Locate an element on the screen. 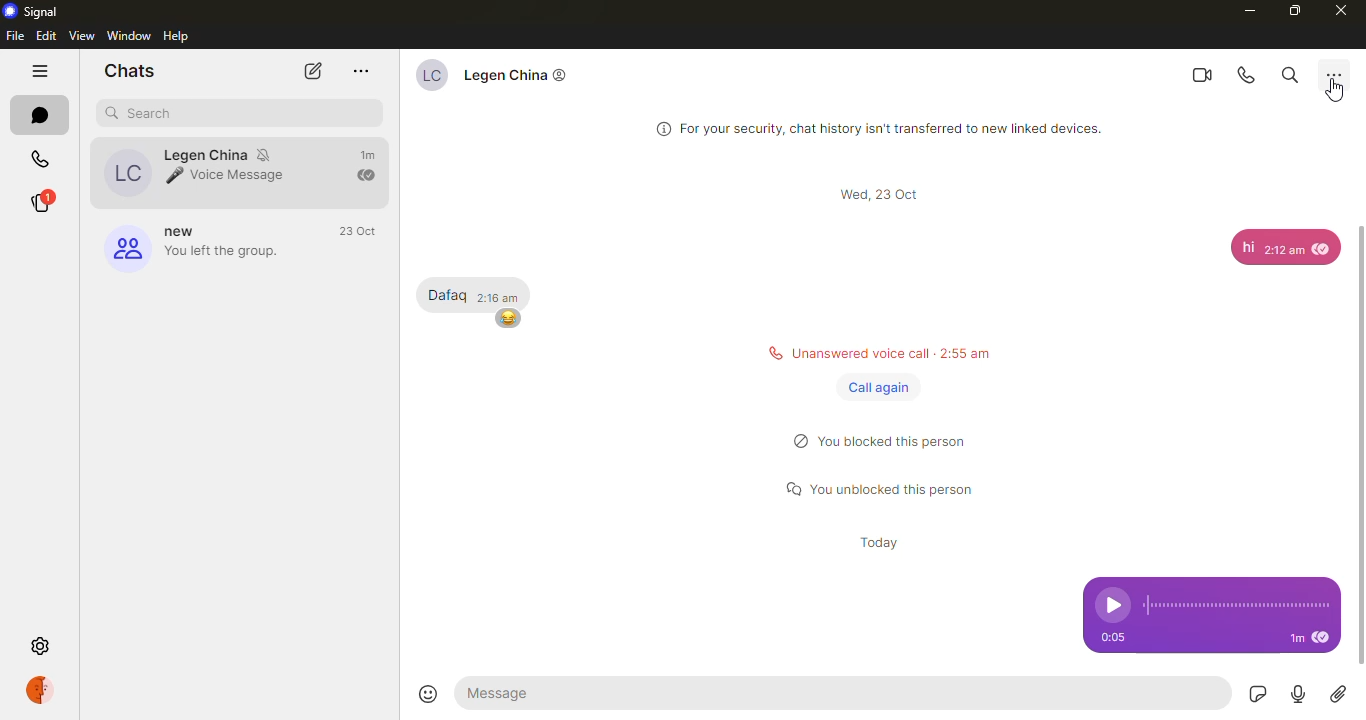 Image resolution: width=1366 pixels, height=720 pixels. seen is located at coordinates (1322, 249).